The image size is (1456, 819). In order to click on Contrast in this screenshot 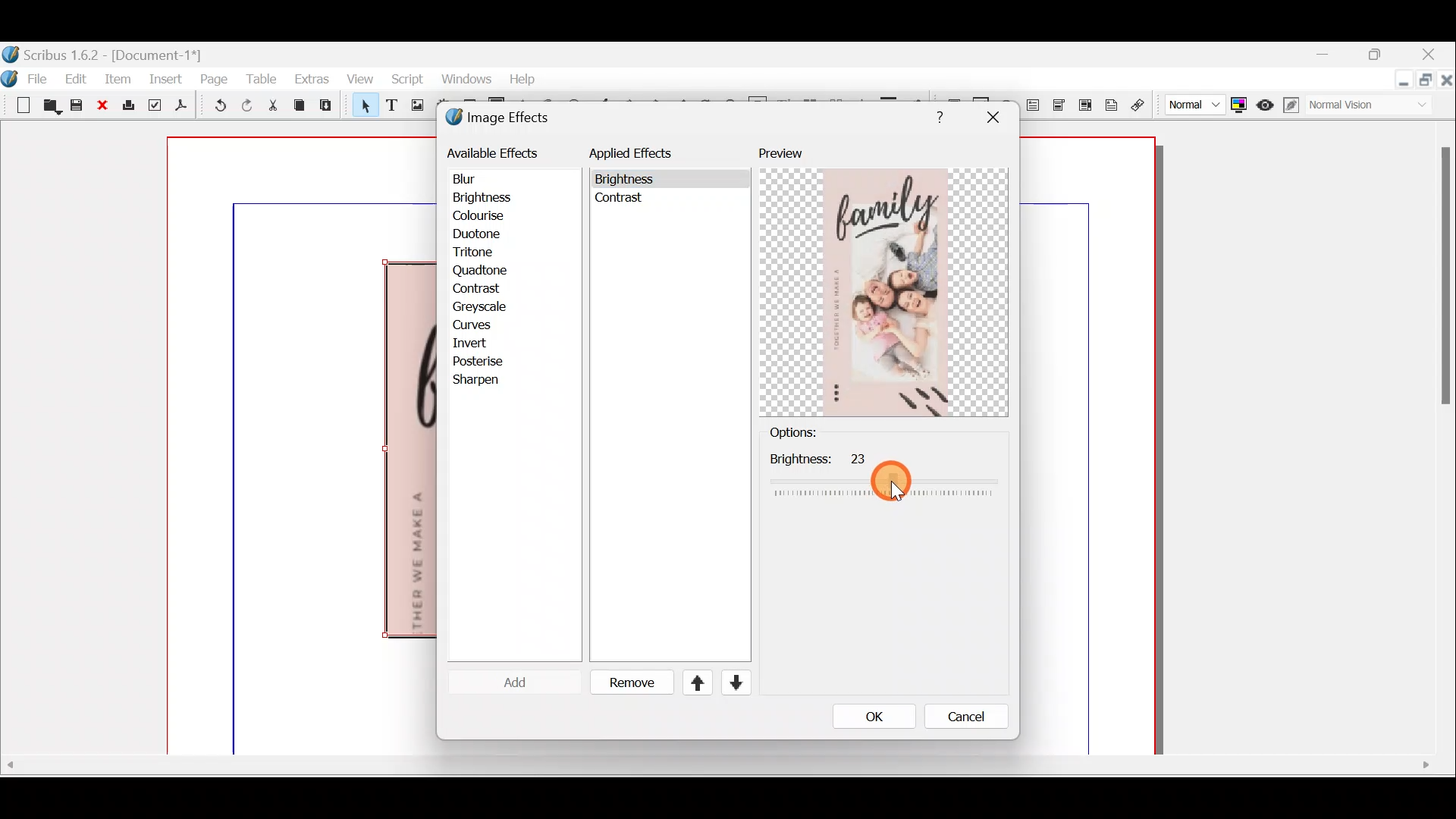, I will do `click(477, 290)`.